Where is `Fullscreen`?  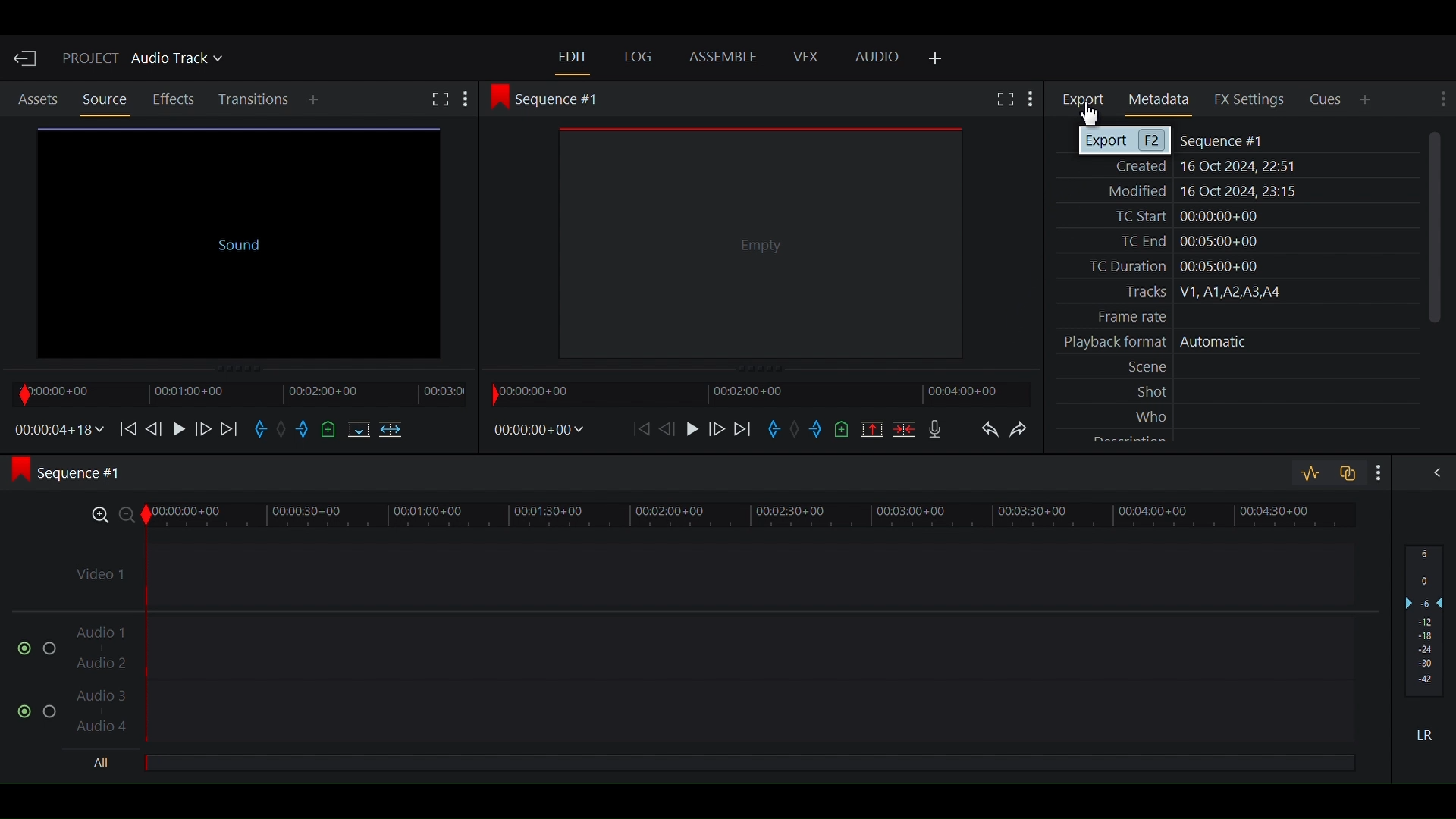 Fullscreen is located at coordinates (1003, 99).